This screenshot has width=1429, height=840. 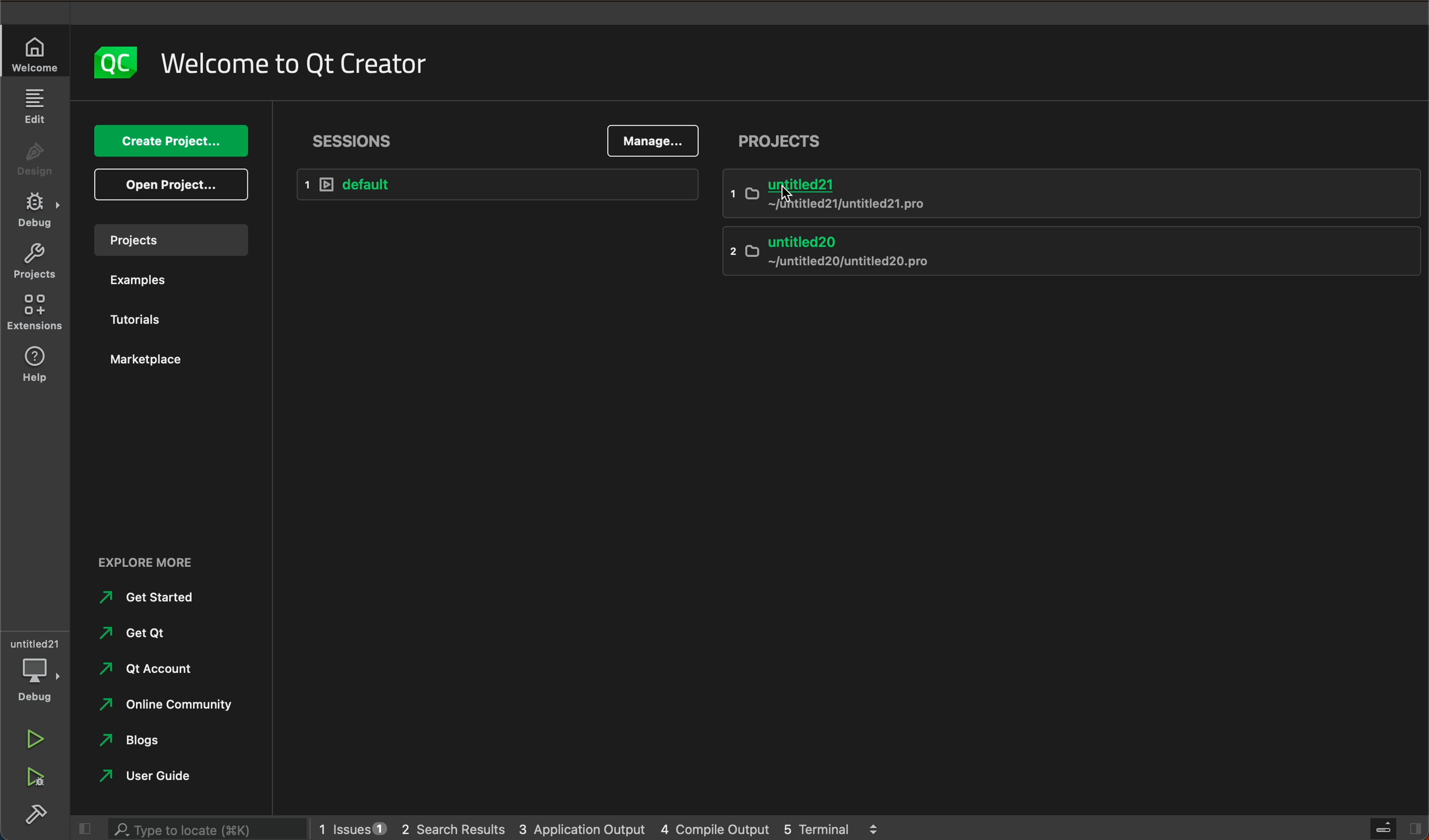 What do you see at coordinates (122, 64) in the screenshot?
I see `logo` at bounding box center [122, 64].